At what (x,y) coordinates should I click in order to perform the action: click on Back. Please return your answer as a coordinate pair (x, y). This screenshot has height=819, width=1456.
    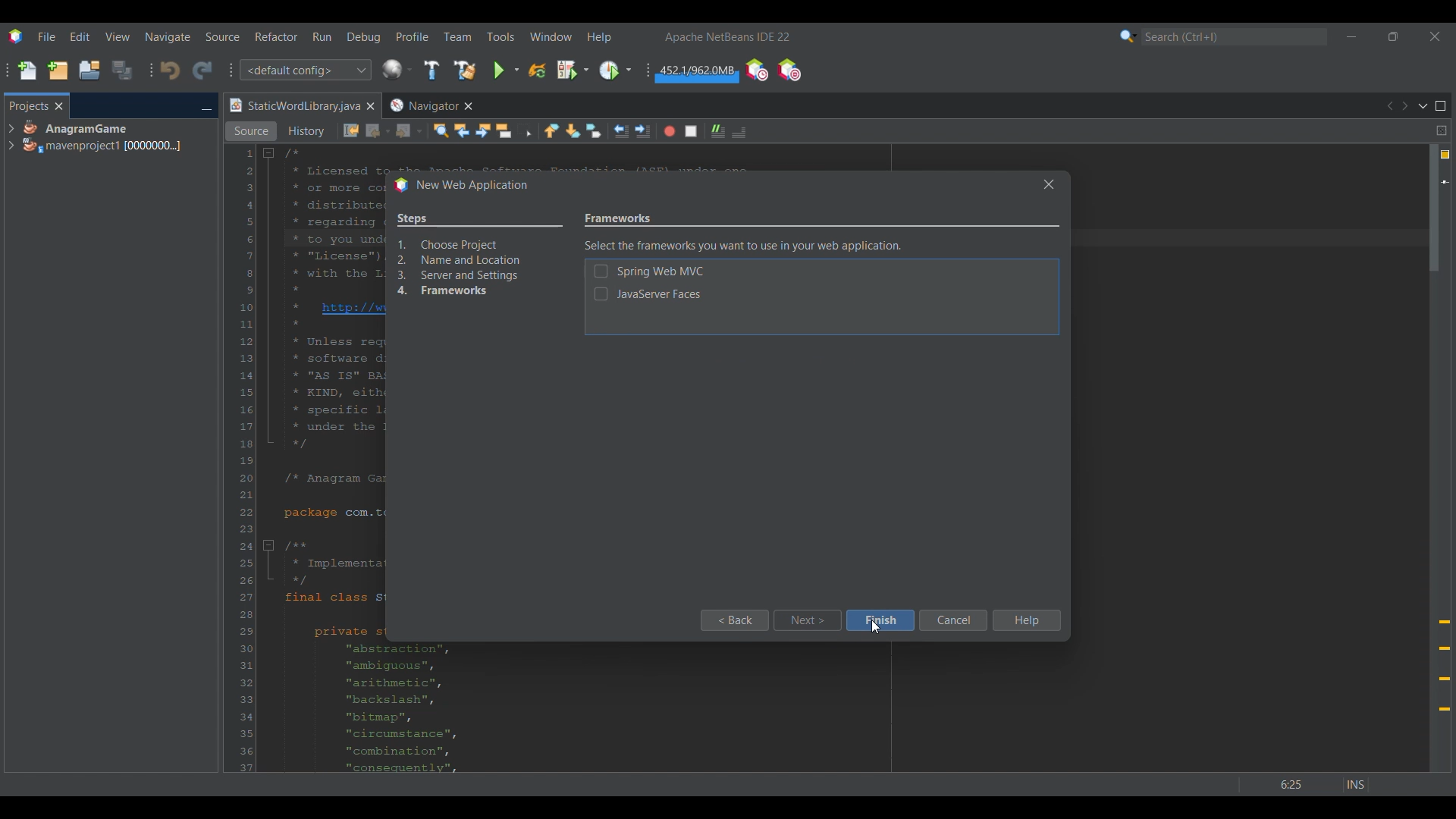
    Looking at the image, I should click on (733, 620).